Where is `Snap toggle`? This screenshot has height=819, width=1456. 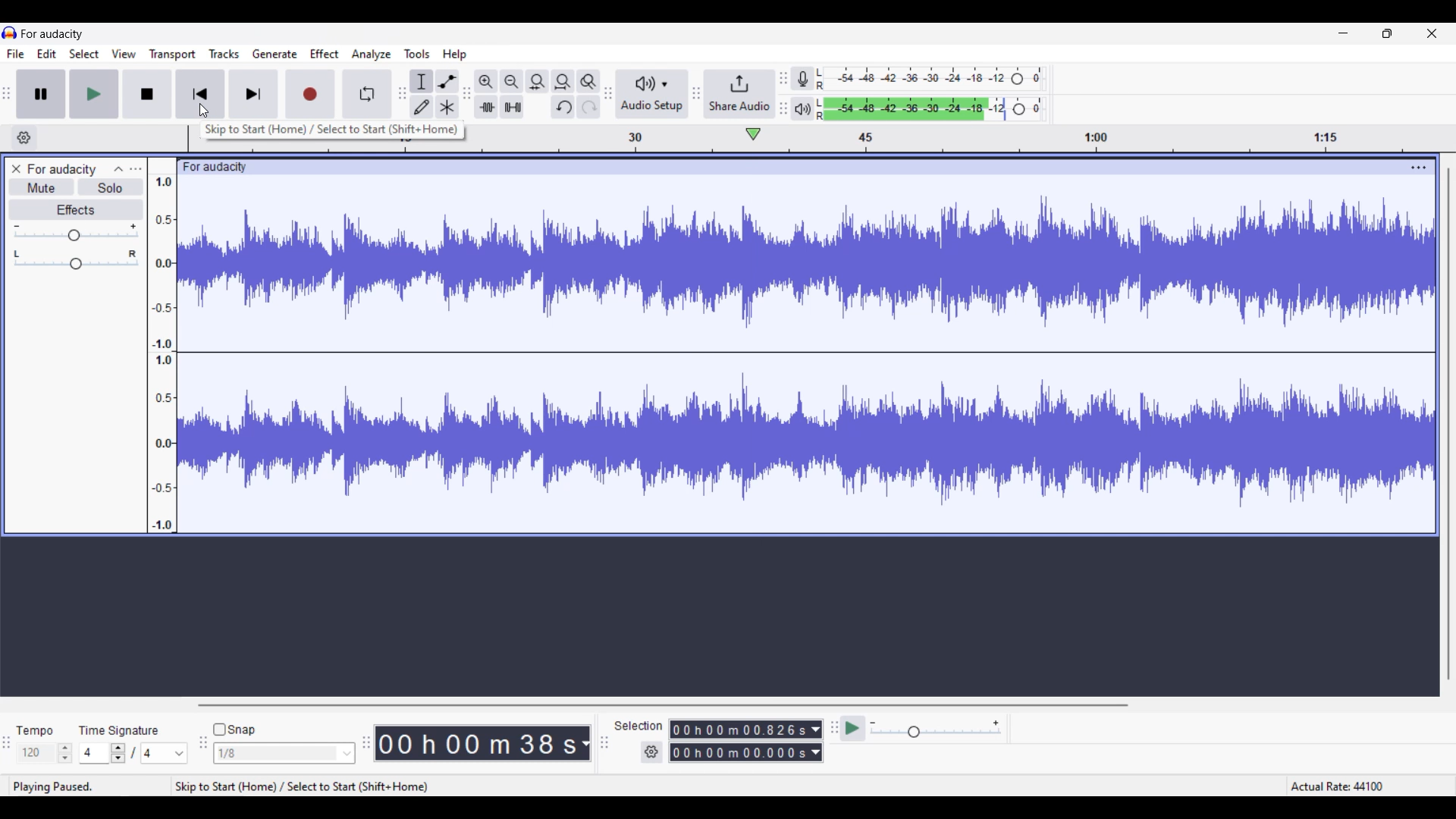 Snap toggle is located at coordinates (234, 730).